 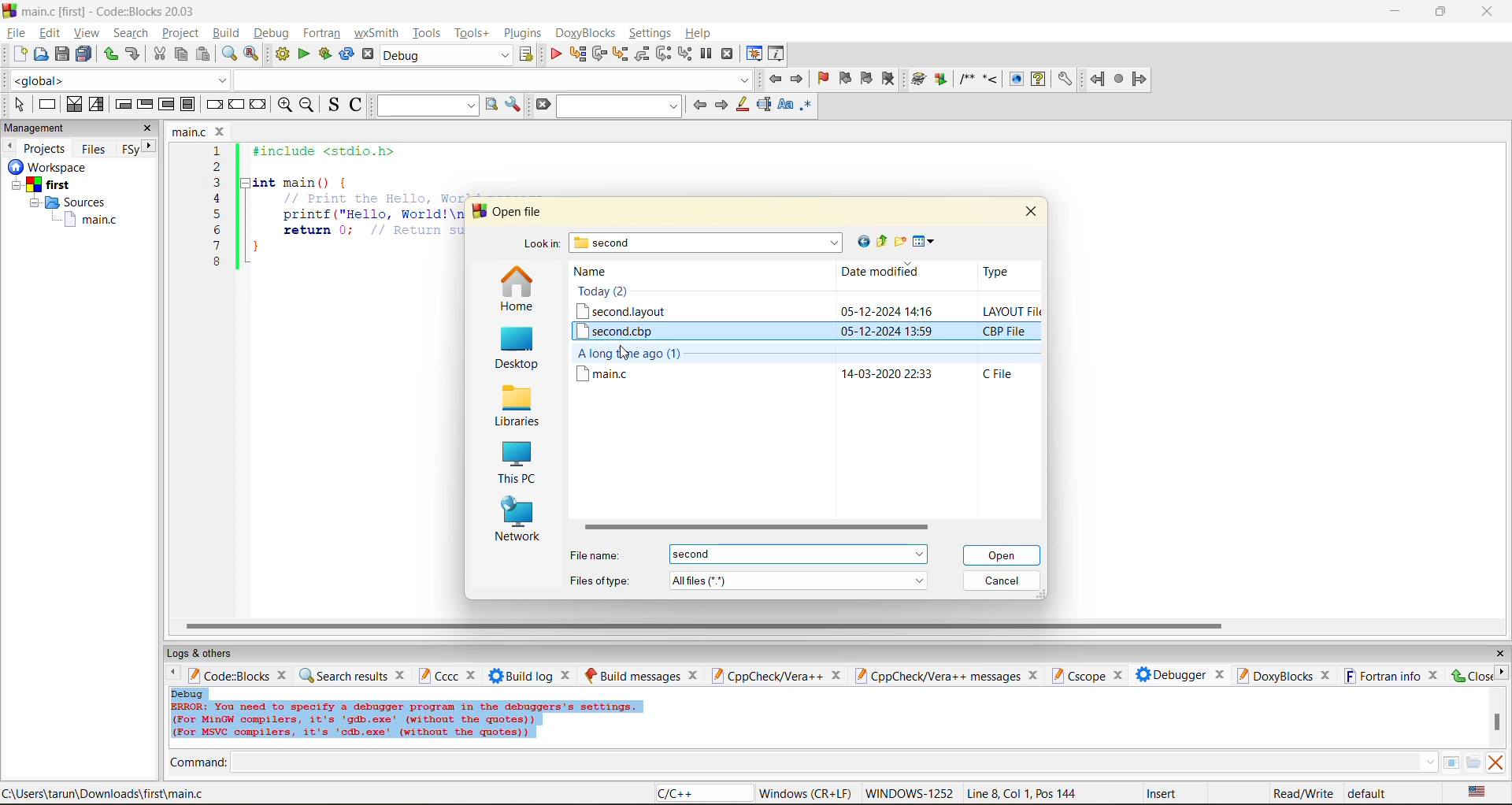 I want to click on close, so click(x=1435, y=675).